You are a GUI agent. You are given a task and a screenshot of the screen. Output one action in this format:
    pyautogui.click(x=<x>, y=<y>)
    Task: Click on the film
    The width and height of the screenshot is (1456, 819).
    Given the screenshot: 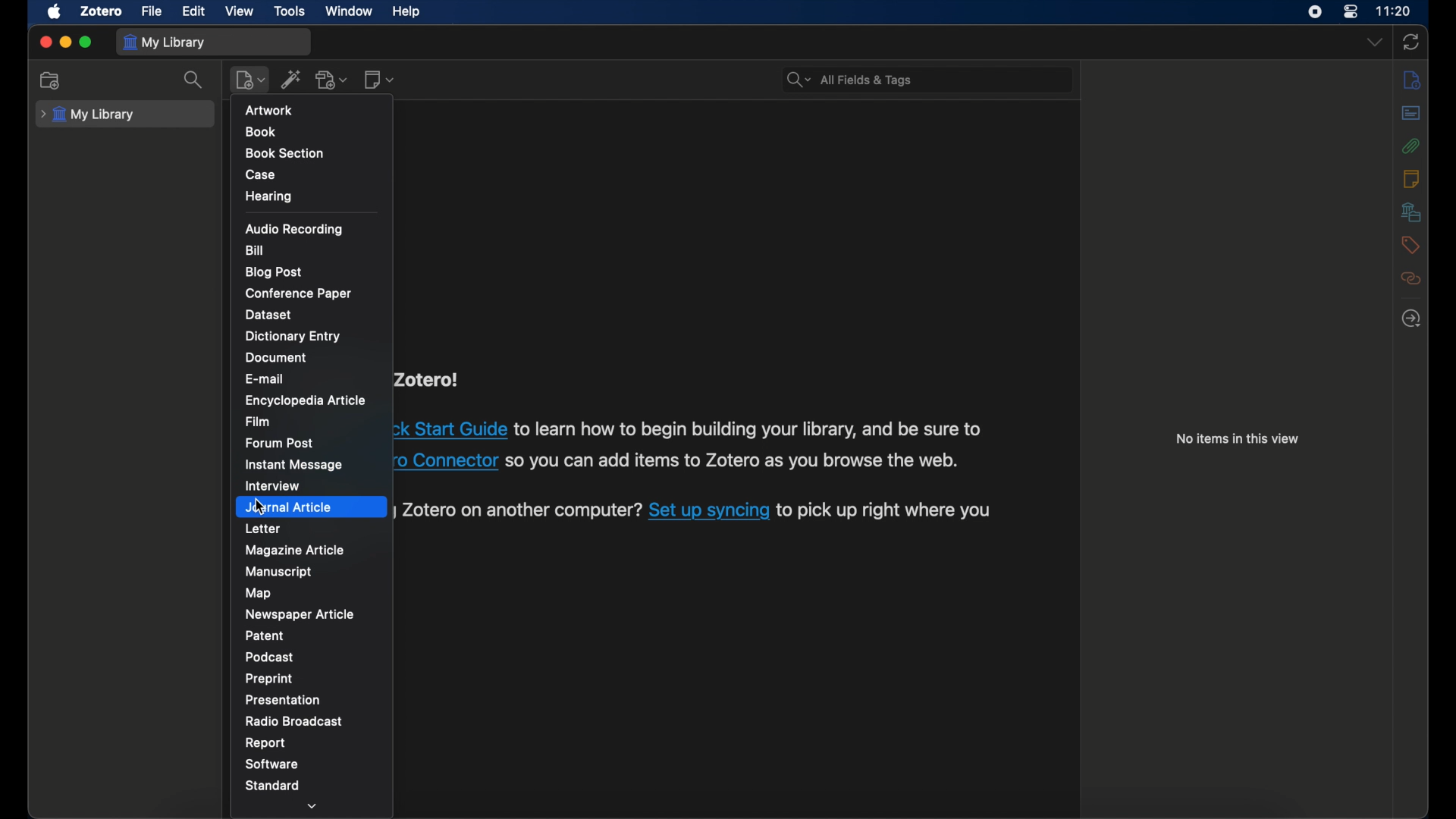 What is the action you would take?
    pyautogui.click(x=259, y=421)
    